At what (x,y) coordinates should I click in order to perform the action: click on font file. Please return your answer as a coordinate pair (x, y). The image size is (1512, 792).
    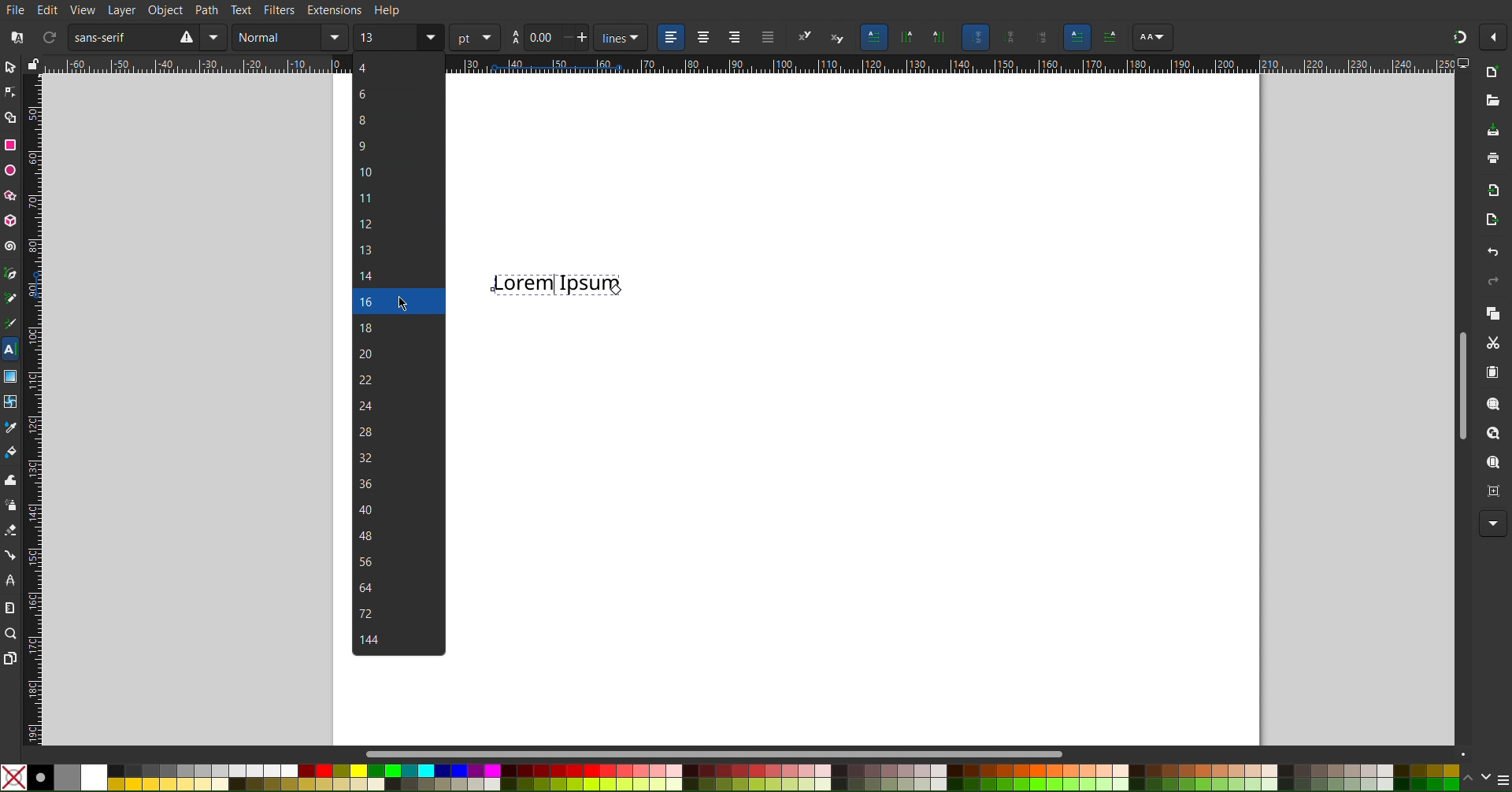
    Looking at the image, I should click on (20, 35).